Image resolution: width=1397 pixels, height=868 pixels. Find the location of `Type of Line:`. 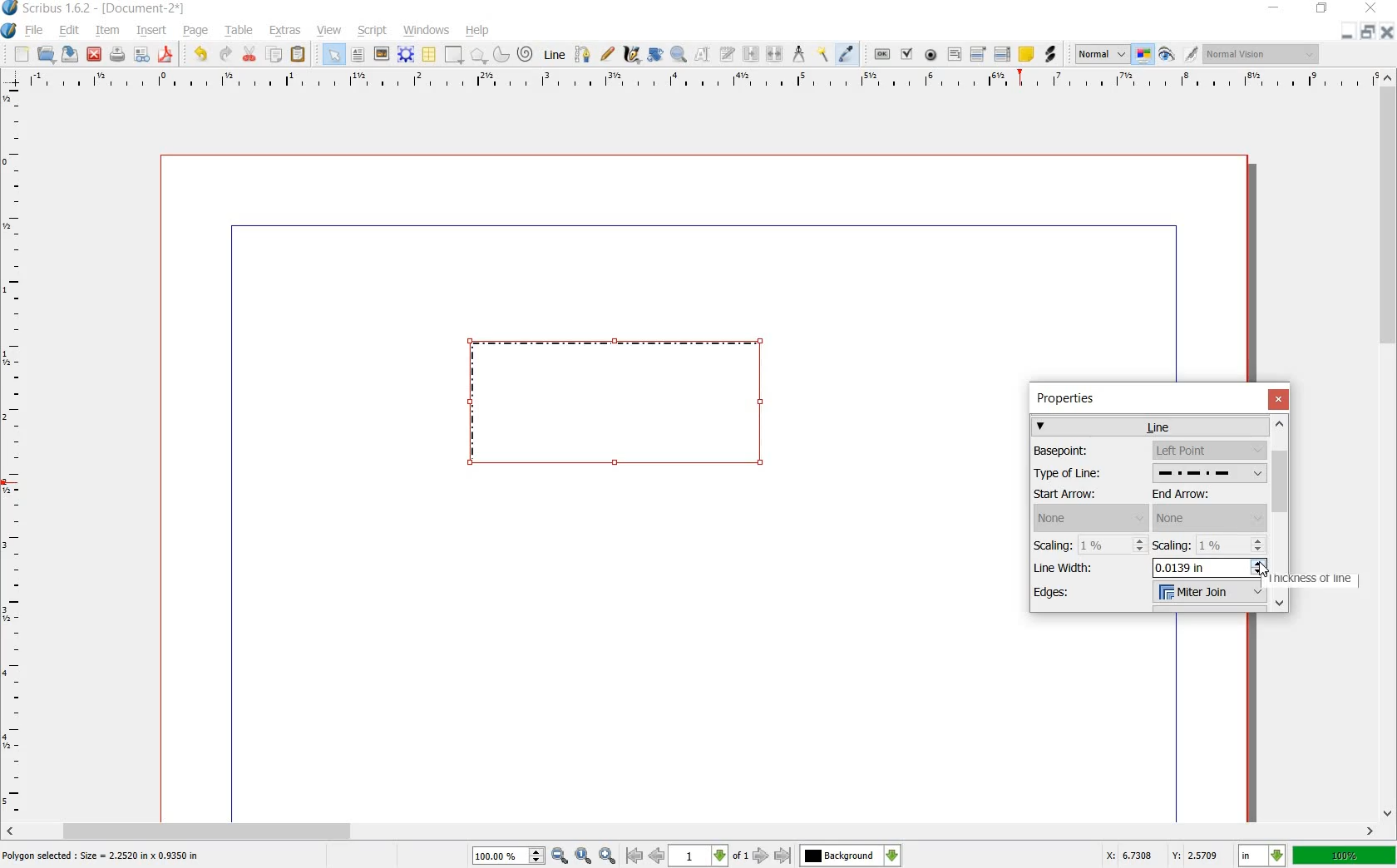

Type of Line: is located at coordinates (1085, 475).